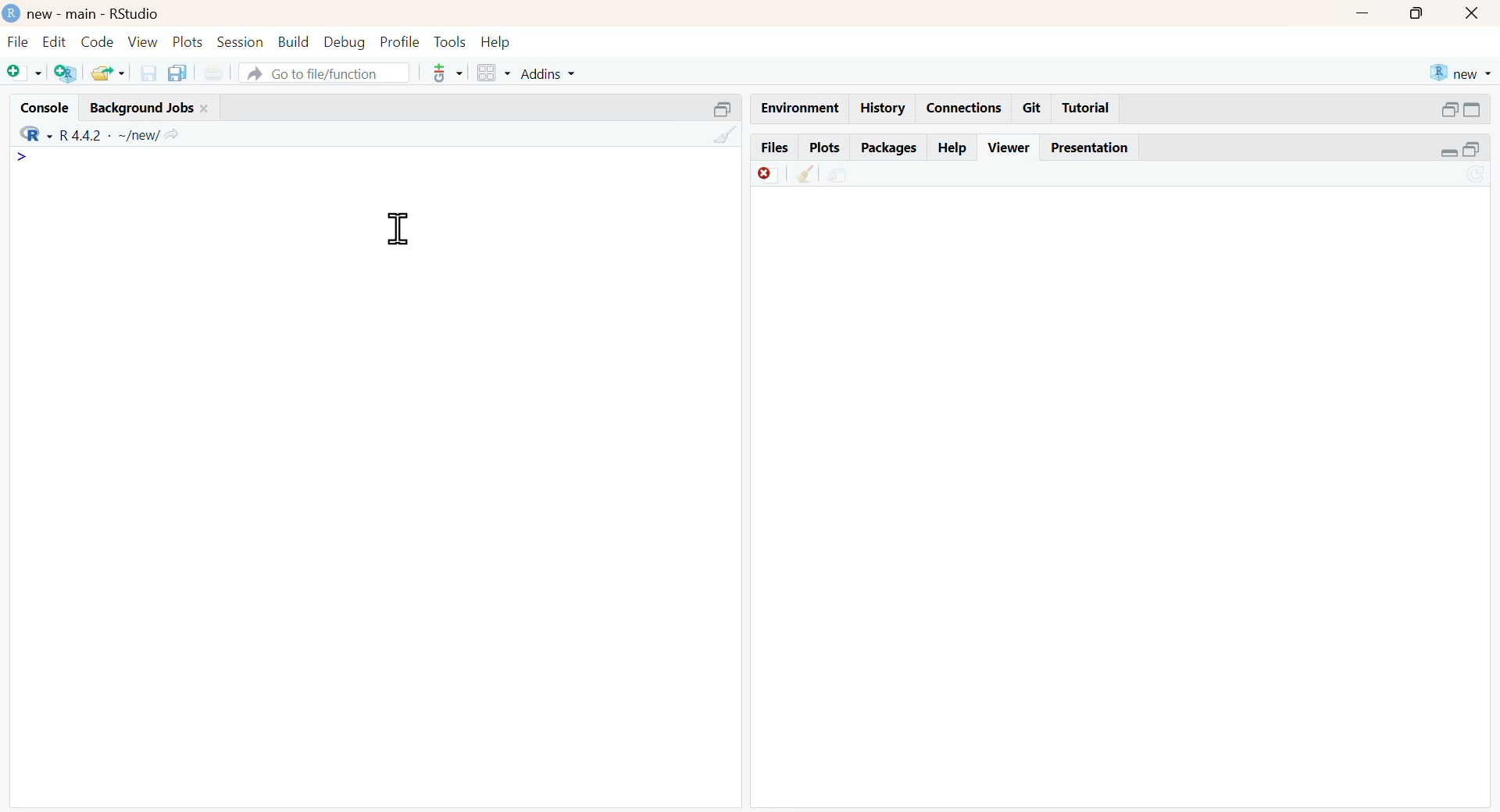 The width and height of the screenshot is (1500, 812). What do you see at coordinates (20, 69) in the screenshot?
I see `New file` at bounding box center [20, 69].